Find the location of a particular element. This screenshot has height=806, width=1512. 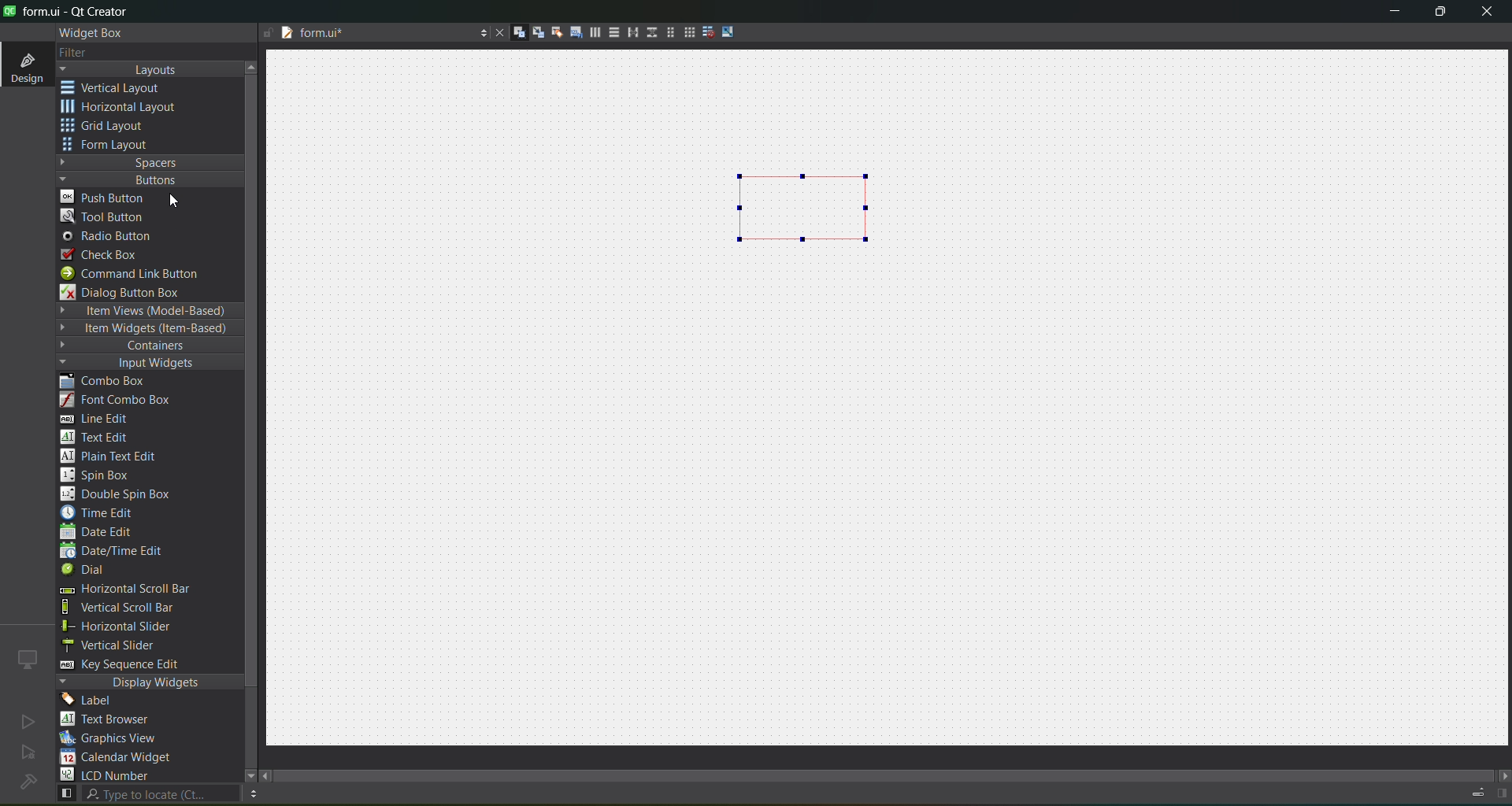

adjust size is located at coordinates (732, 31).